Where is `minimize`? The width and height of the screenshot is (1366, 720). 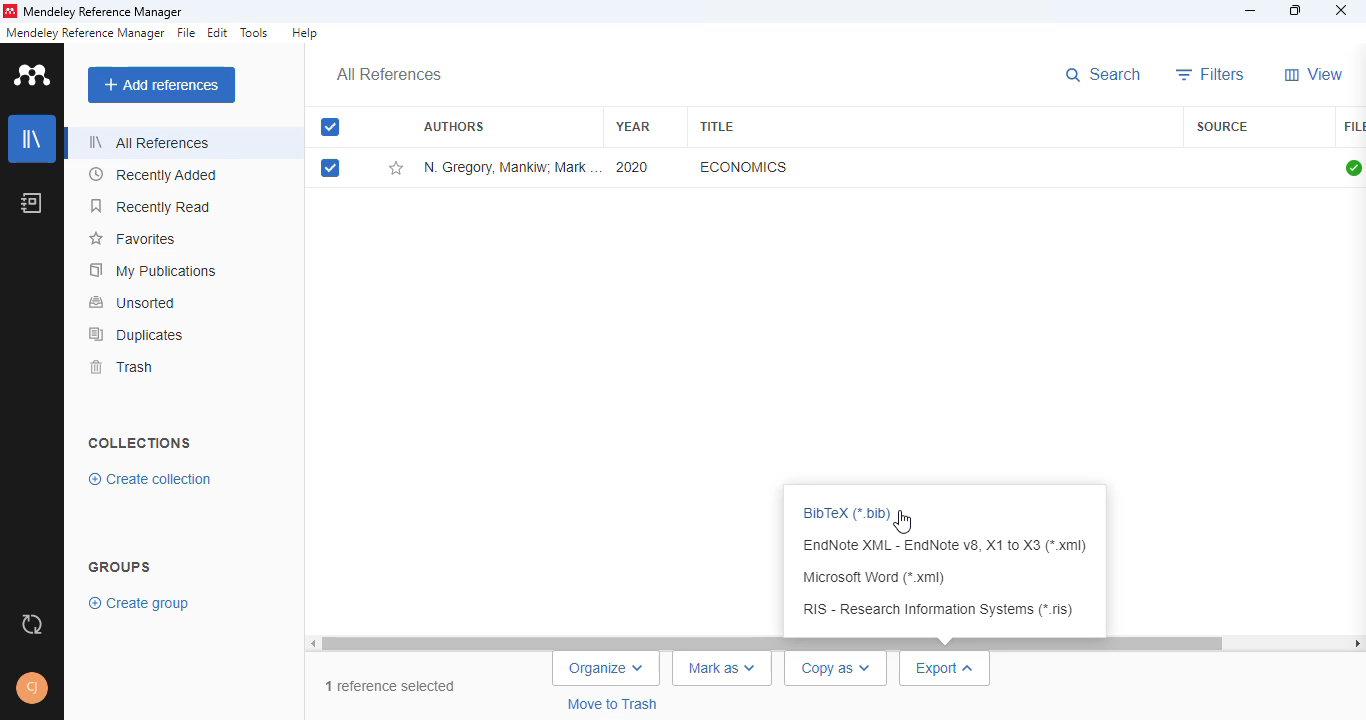 minimize is located at coordinates (1250, 11).